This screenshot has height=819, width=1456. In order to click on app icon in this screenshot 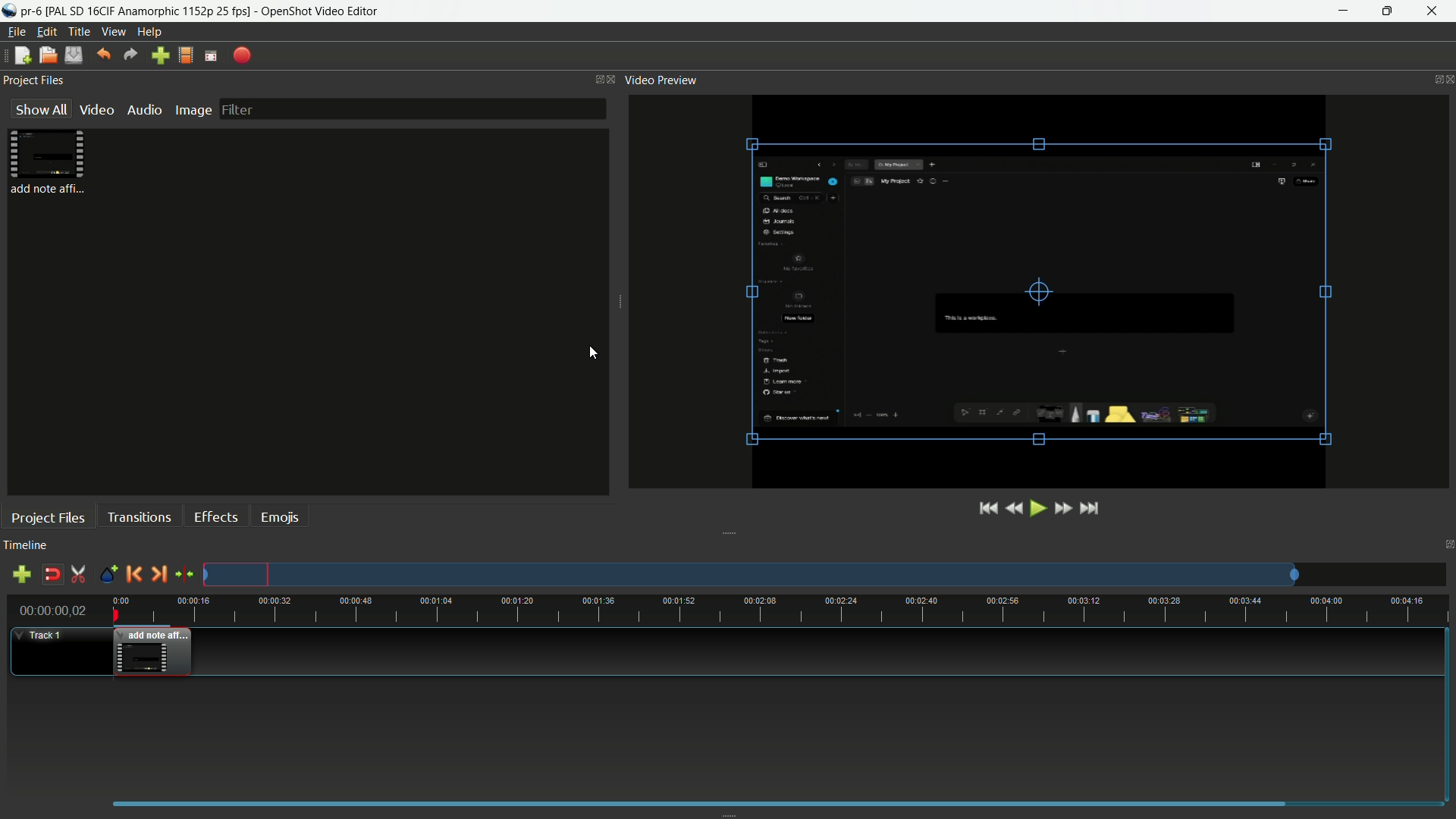, I will do `click(9, 12)`.